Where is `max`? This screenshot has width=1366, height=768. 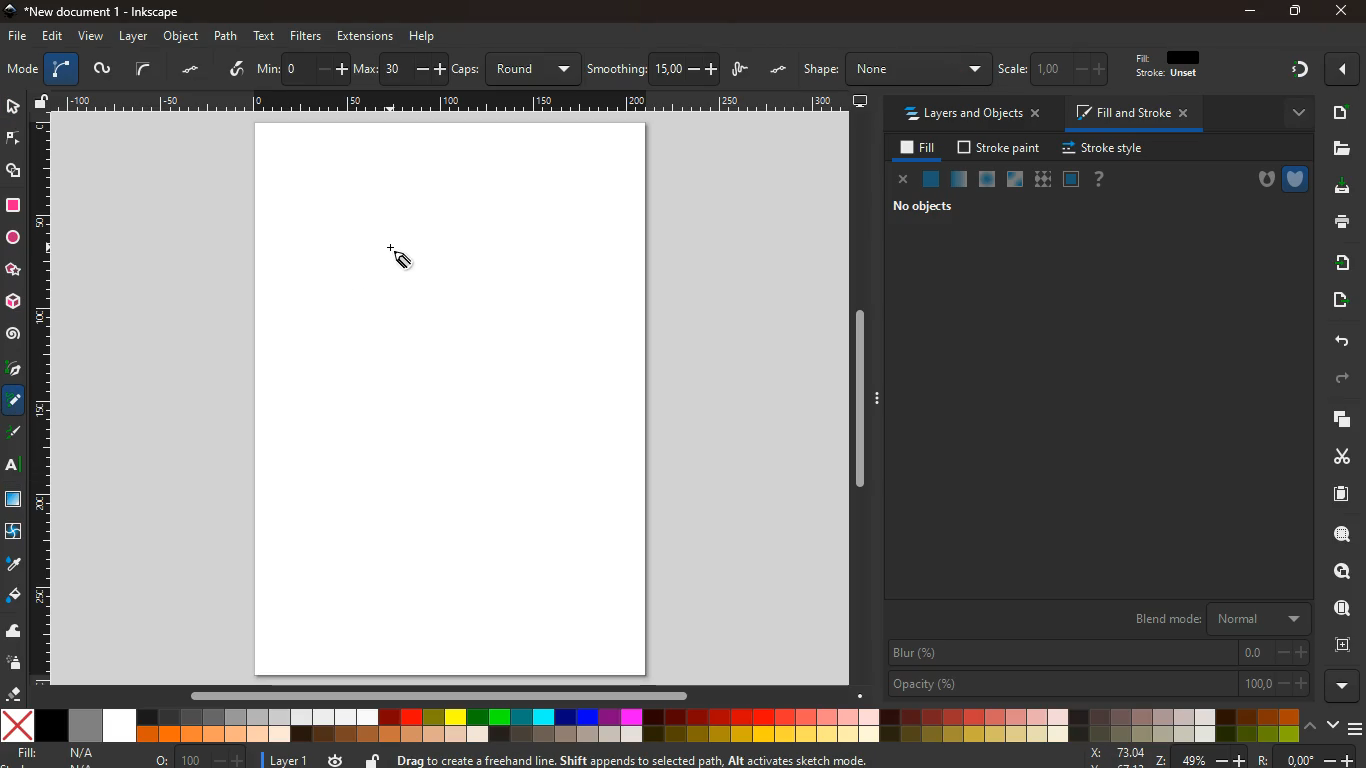
max is located at coordinates (400, 70).